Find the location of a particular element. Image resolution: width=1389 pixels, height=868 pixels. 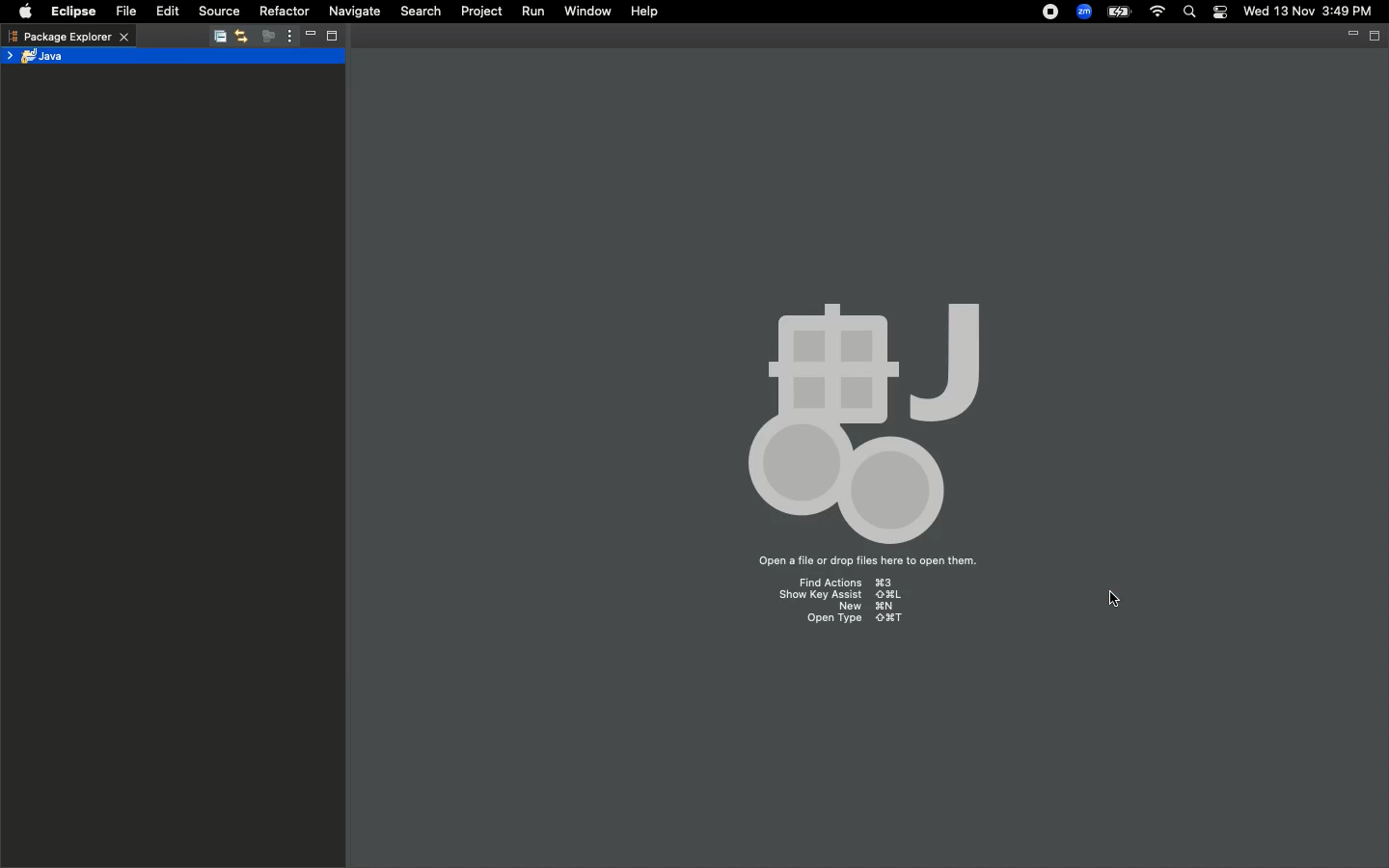

Refactor is located at coordinates (284, 12).